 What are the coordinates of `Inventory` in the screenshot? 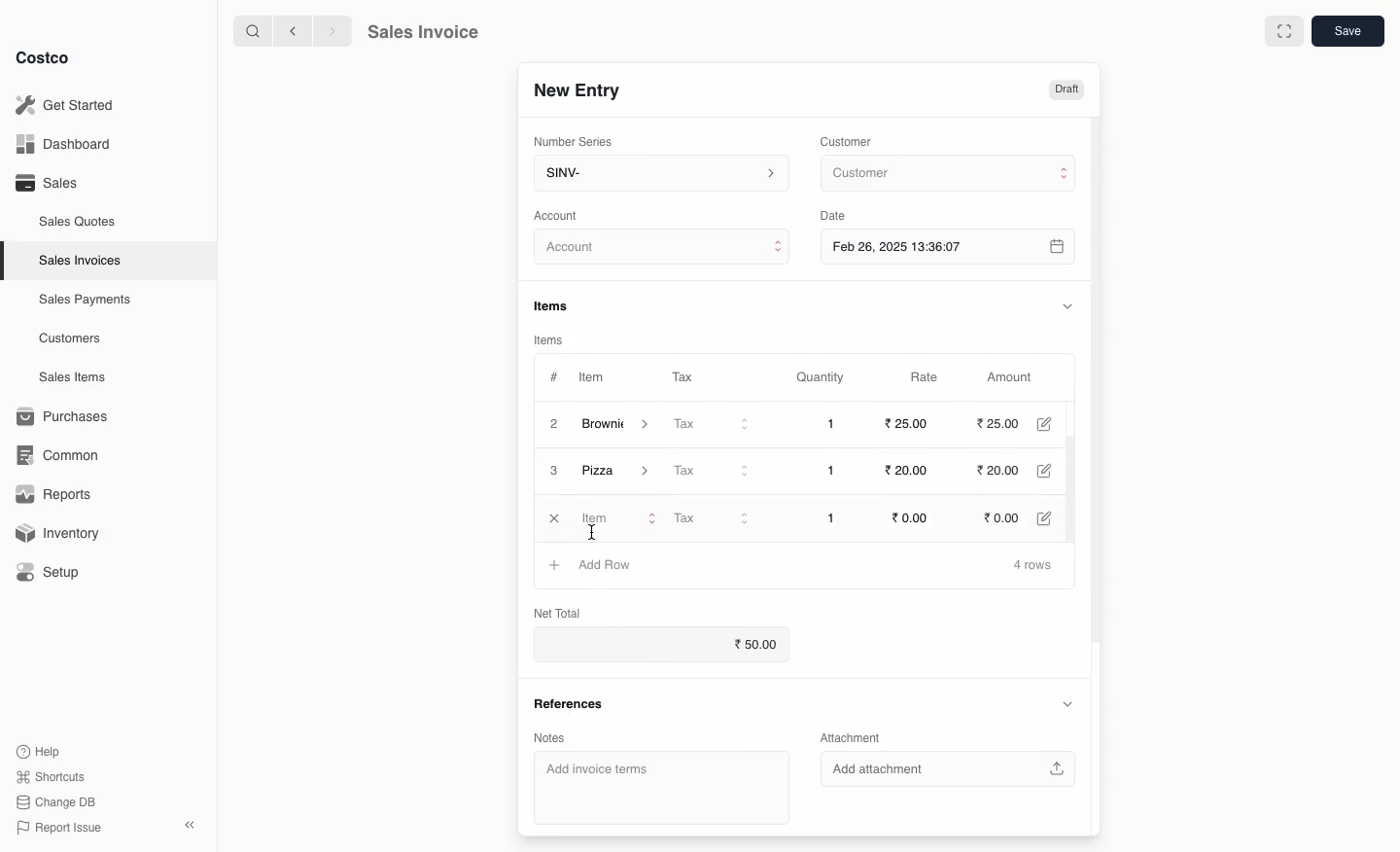 It's located at (61, 531).